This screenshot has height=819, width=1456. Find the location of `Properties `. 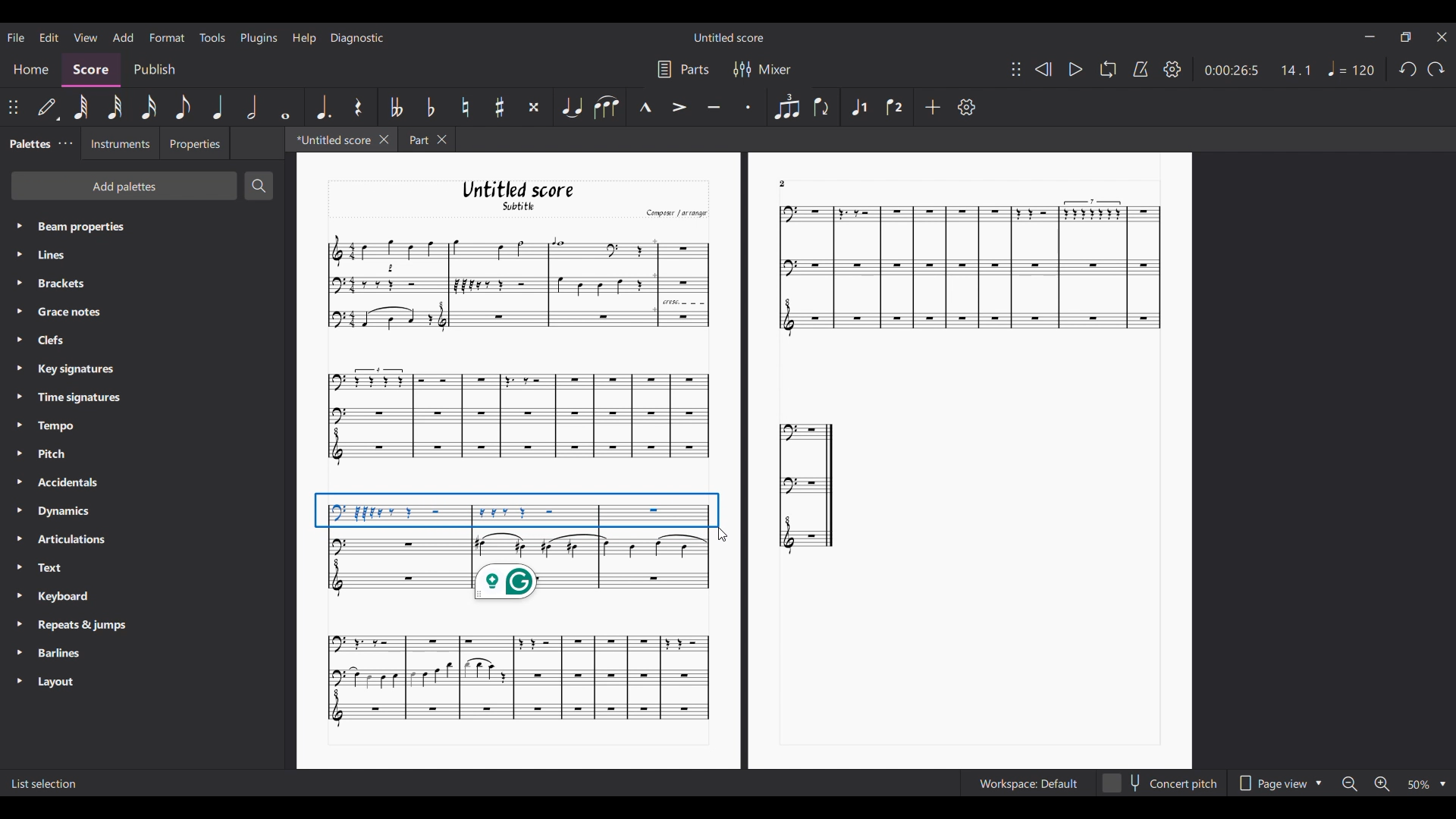

Properties  is located at coordinates (194, 143).